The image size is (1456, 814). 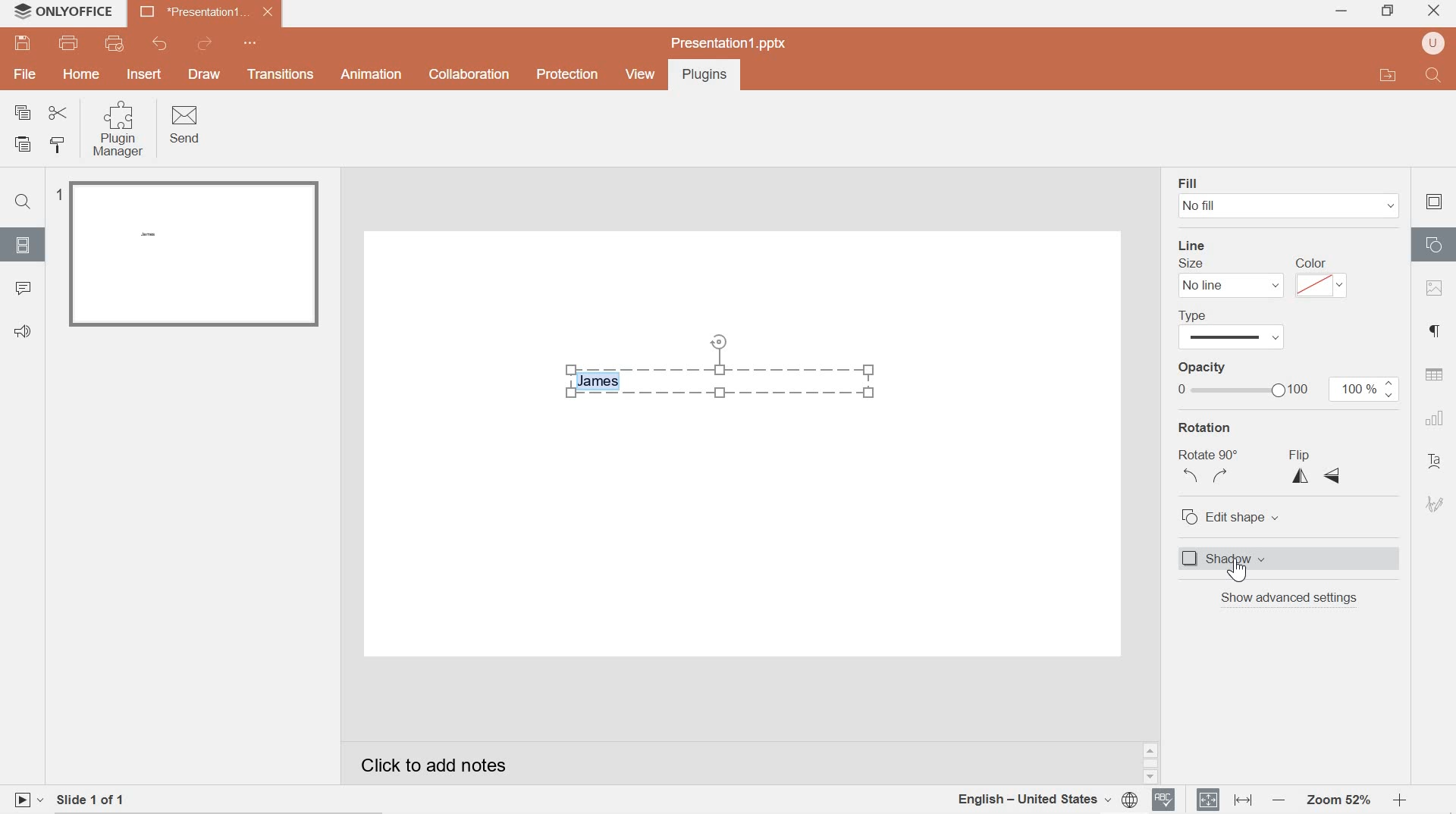 What do you see at coordinates (1047, 798) in the screenshot?
I see `document language` at bounding box center [1047, 798].